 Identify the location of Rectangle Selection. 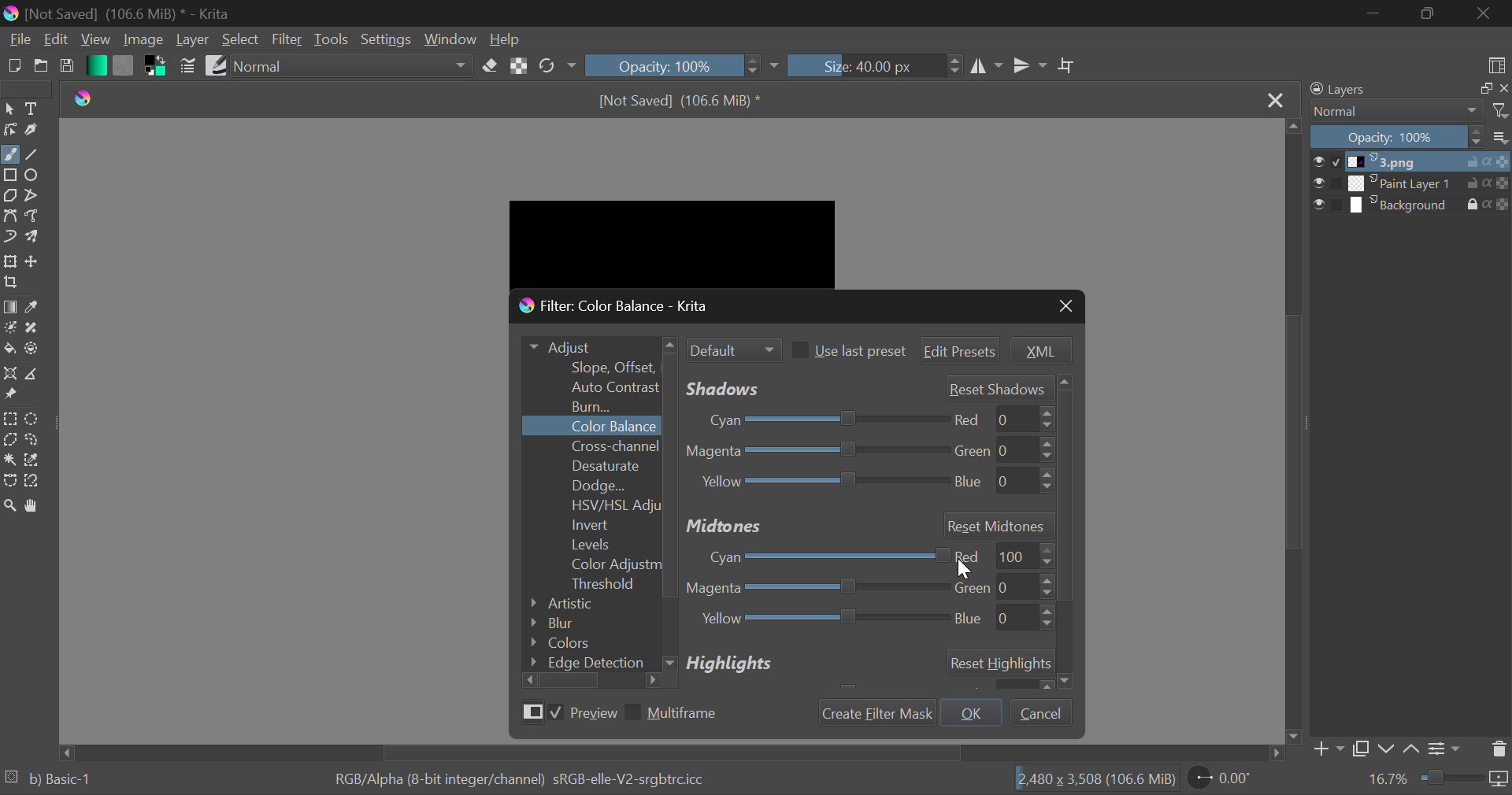
(9, 419).